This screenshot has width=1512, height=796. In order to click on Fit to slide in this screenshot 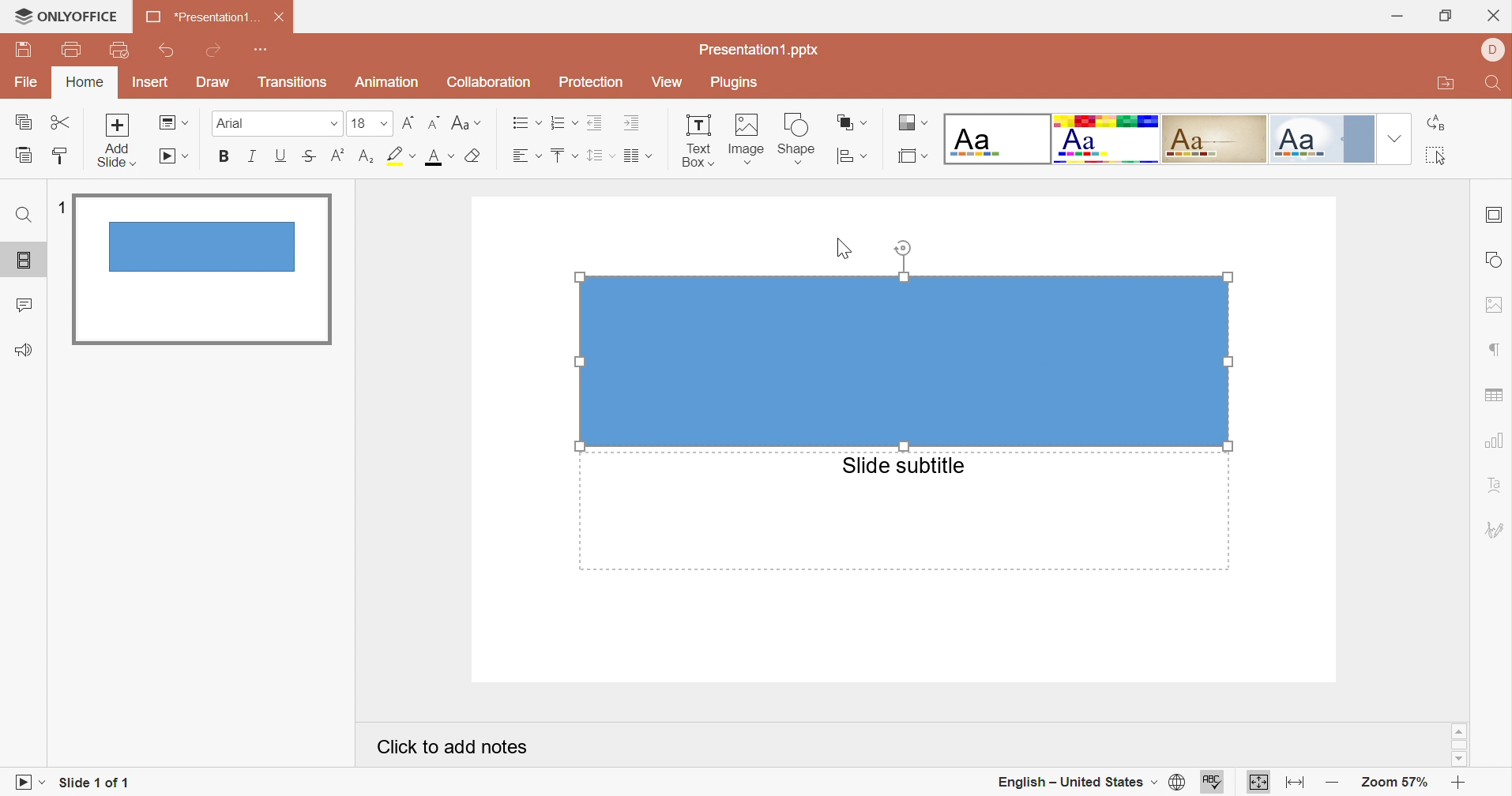, I will do `click(1260, 785)`.